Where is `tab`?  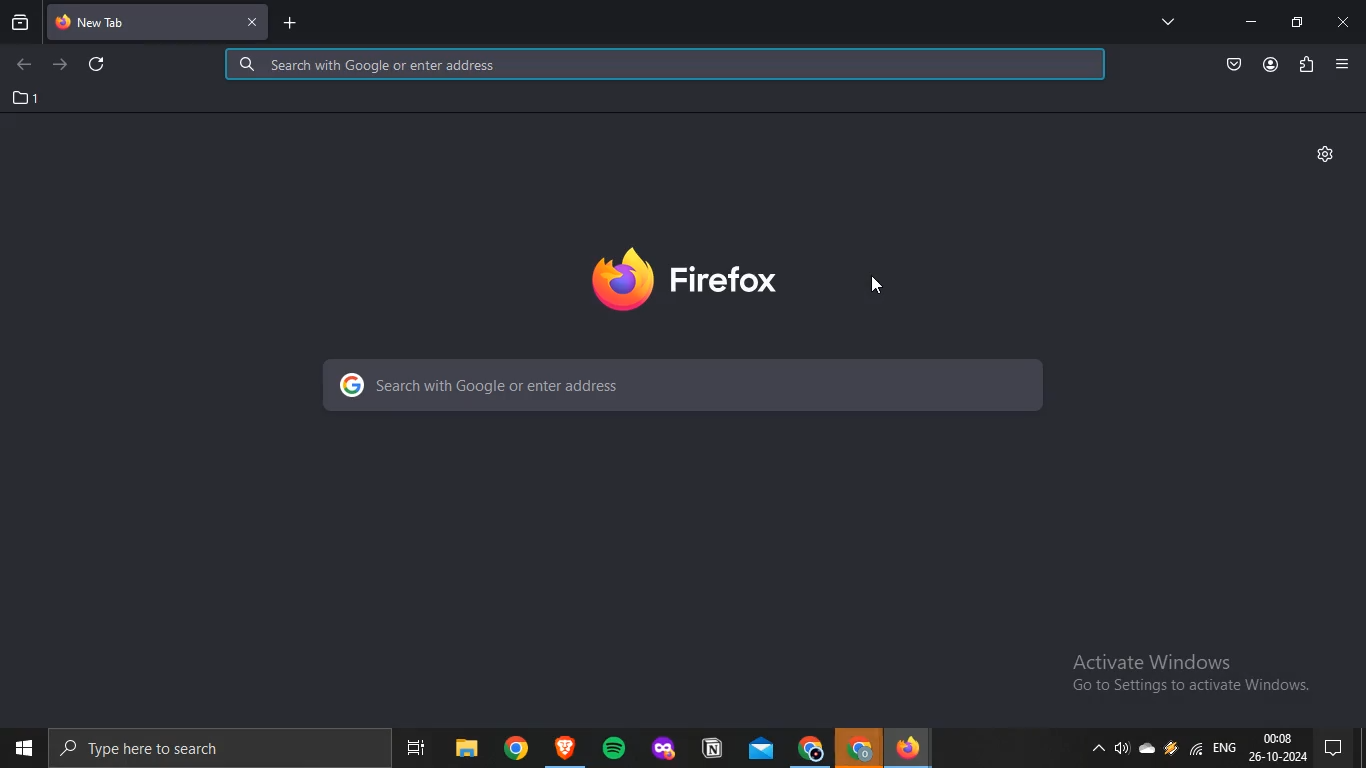
tab is located at coordinates (143, 24).